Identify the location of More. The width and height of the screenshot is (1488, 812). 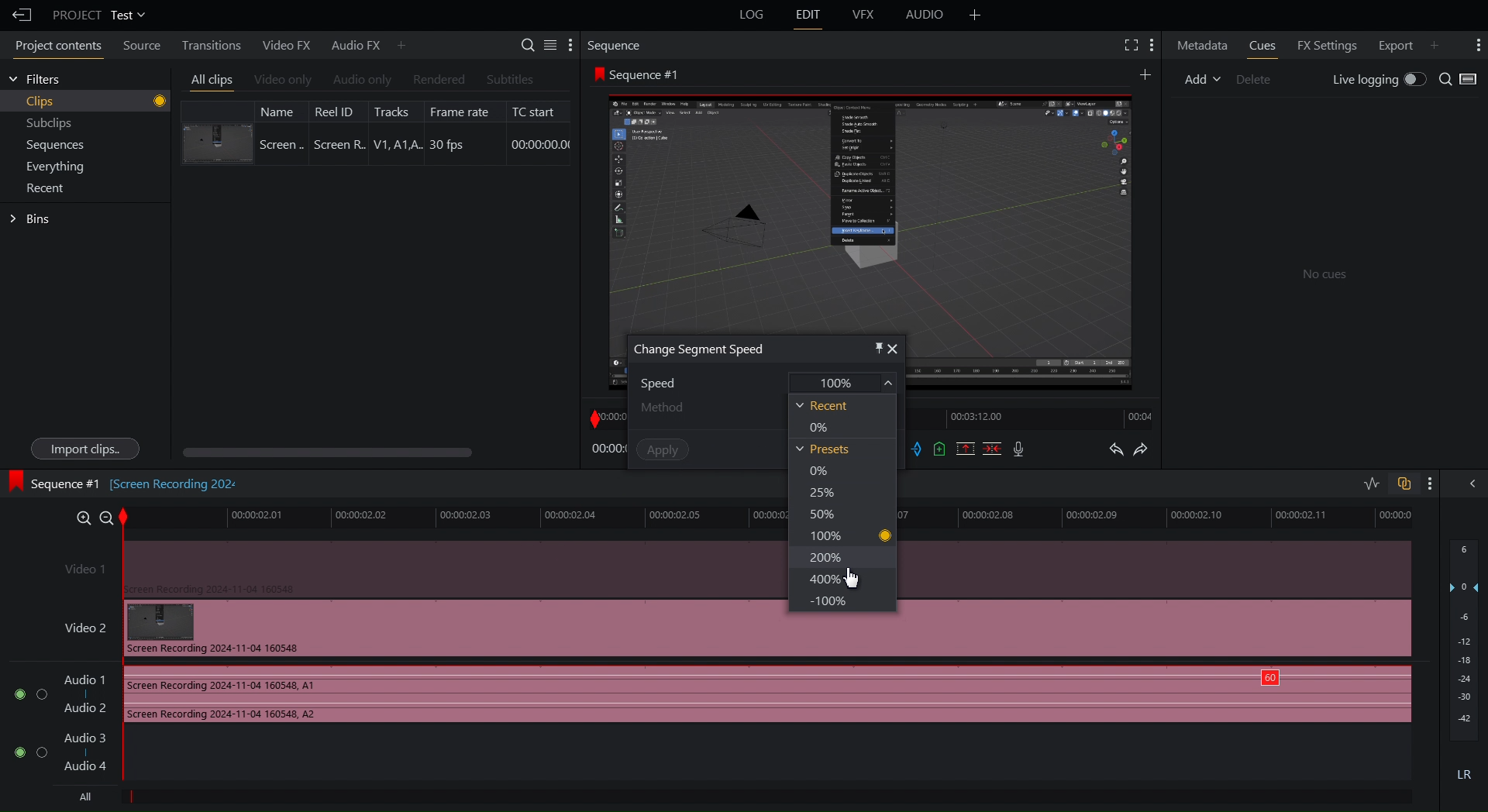
(1476, 45).